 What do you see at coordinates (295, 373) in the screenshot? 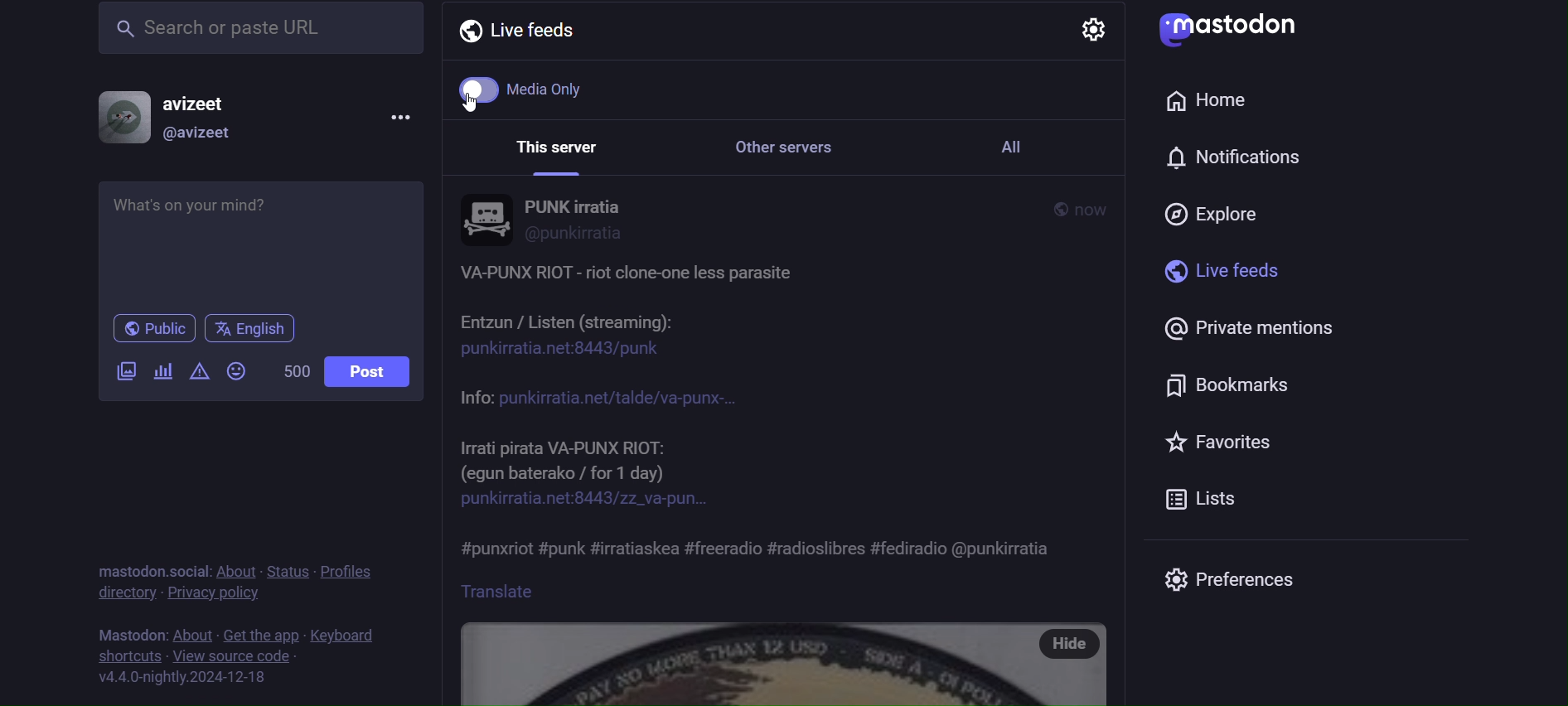
I see `500` at bounding box center [295, 373].